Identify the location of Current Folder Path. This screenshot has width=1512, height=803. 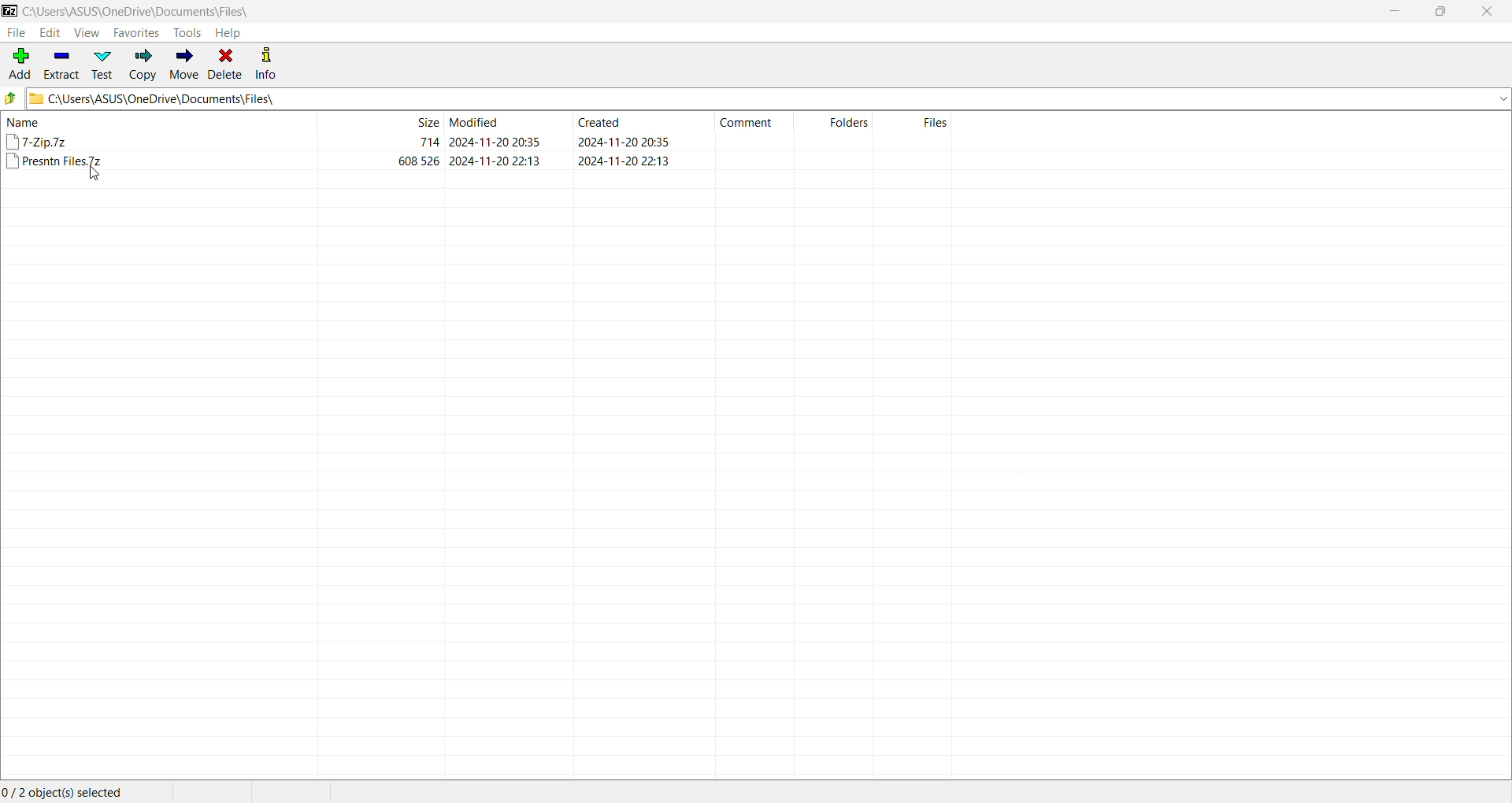
(139, 10).